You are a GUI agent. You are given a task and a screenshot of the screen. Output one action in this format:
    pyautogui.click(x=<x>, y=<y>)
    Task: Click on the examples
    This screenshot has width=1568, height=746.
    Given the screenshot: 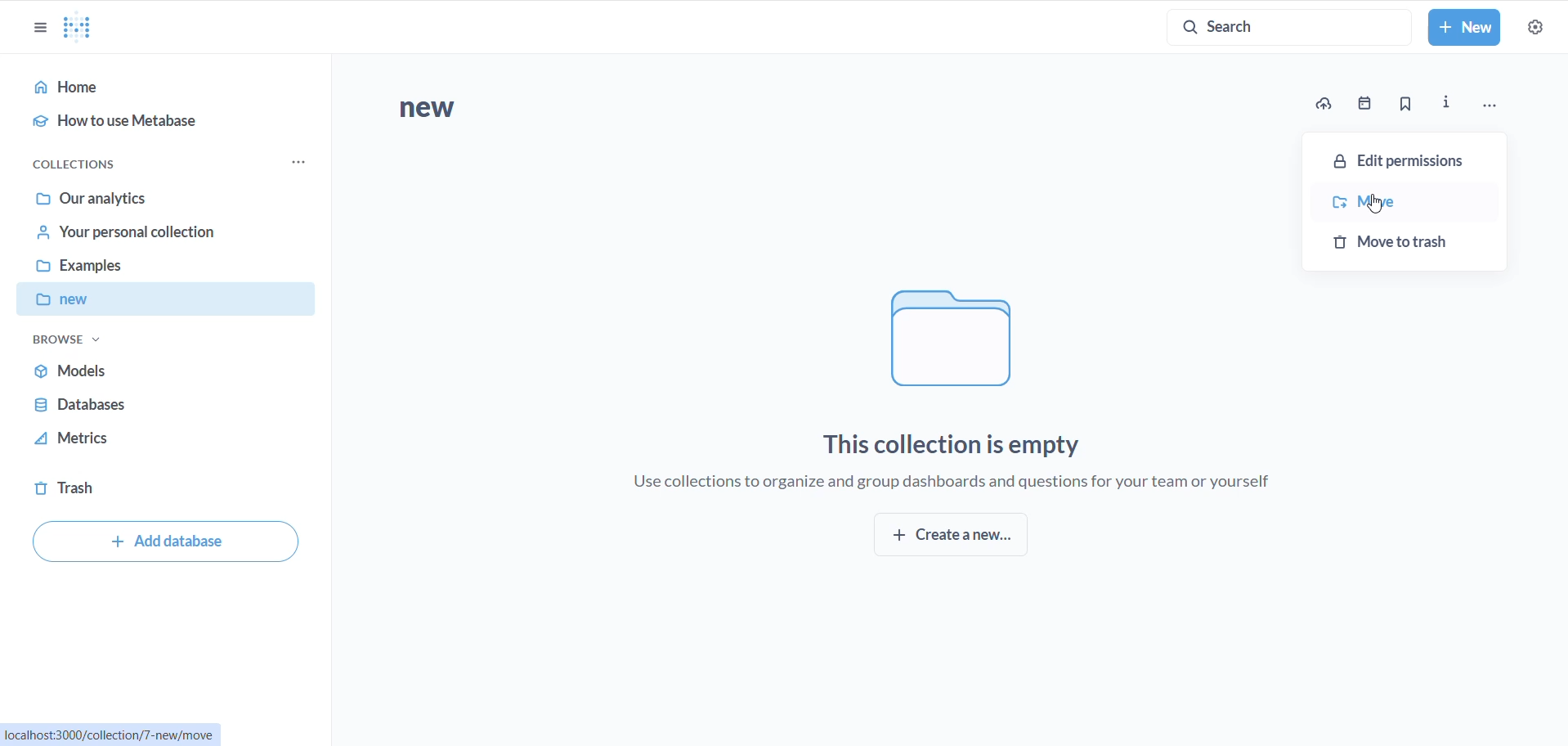 What is the action you would take?
    pyautogui.click(x=155, y=269)
    